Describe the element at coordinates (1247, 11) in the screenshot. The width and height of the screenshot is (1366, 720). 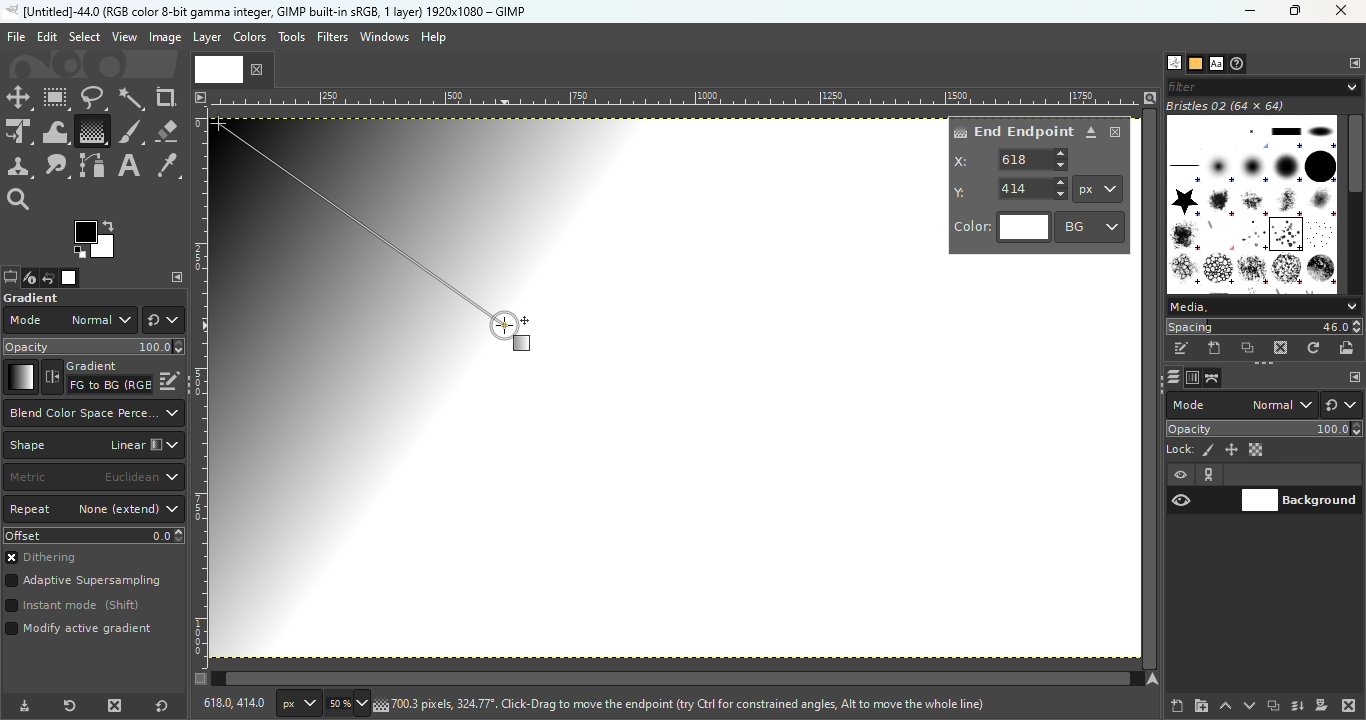
I see `Minimize` at that location.